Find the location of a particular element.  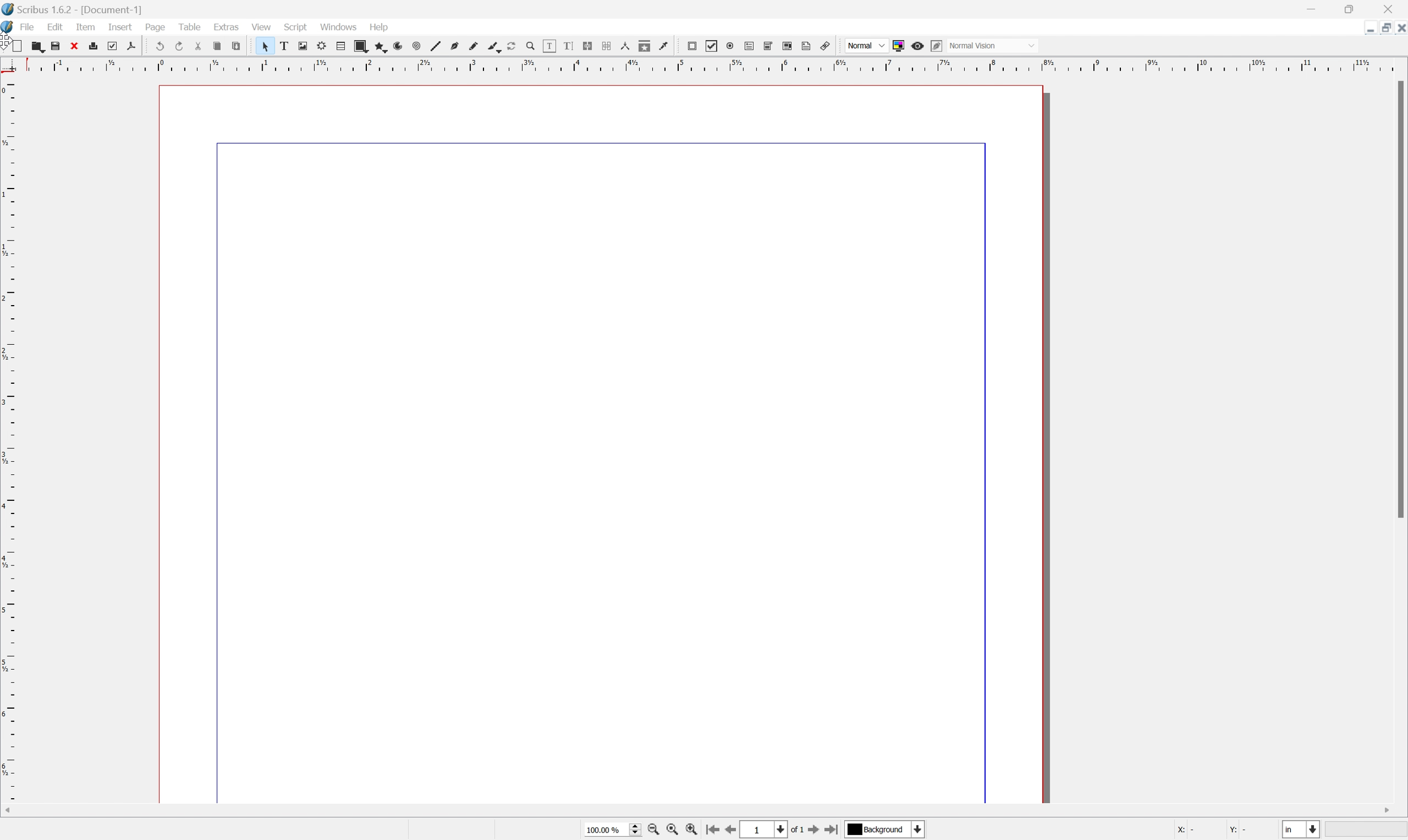

X:  Y: is located at coordinates (1221, 831).